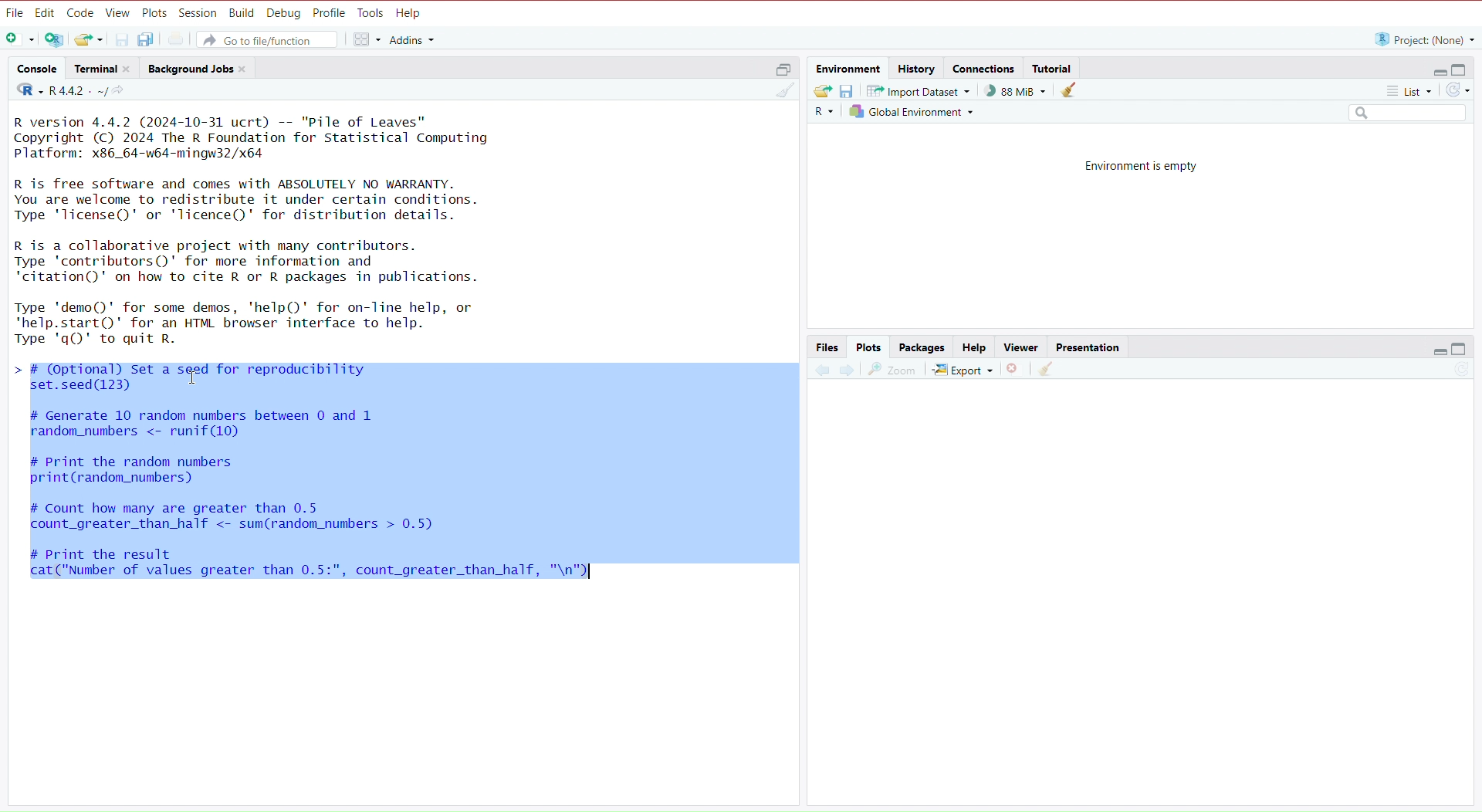  Describe the element at coordinates (848, 91) in the screenshot. I see `Save` at that location.